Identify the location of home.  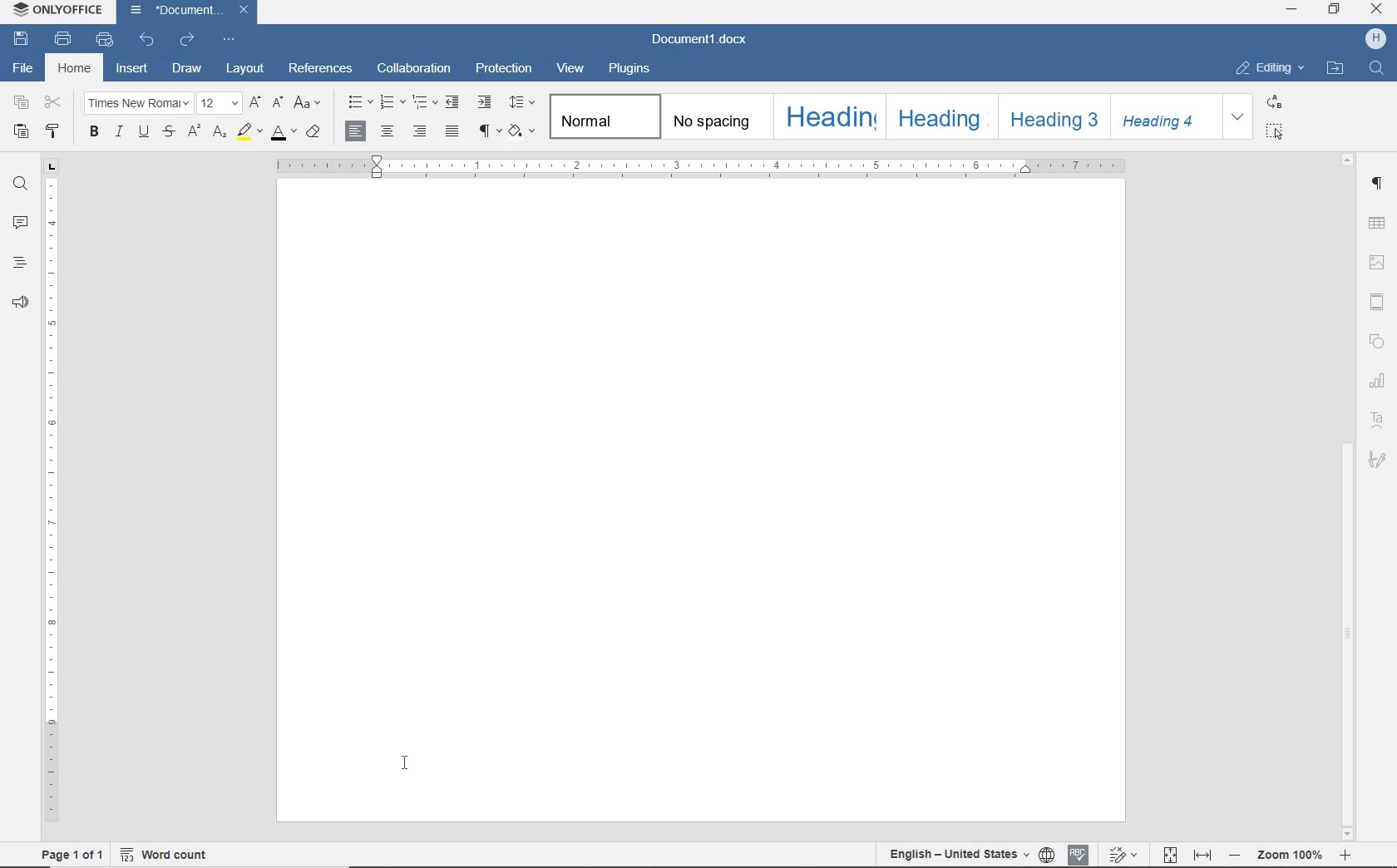
(74, 70).